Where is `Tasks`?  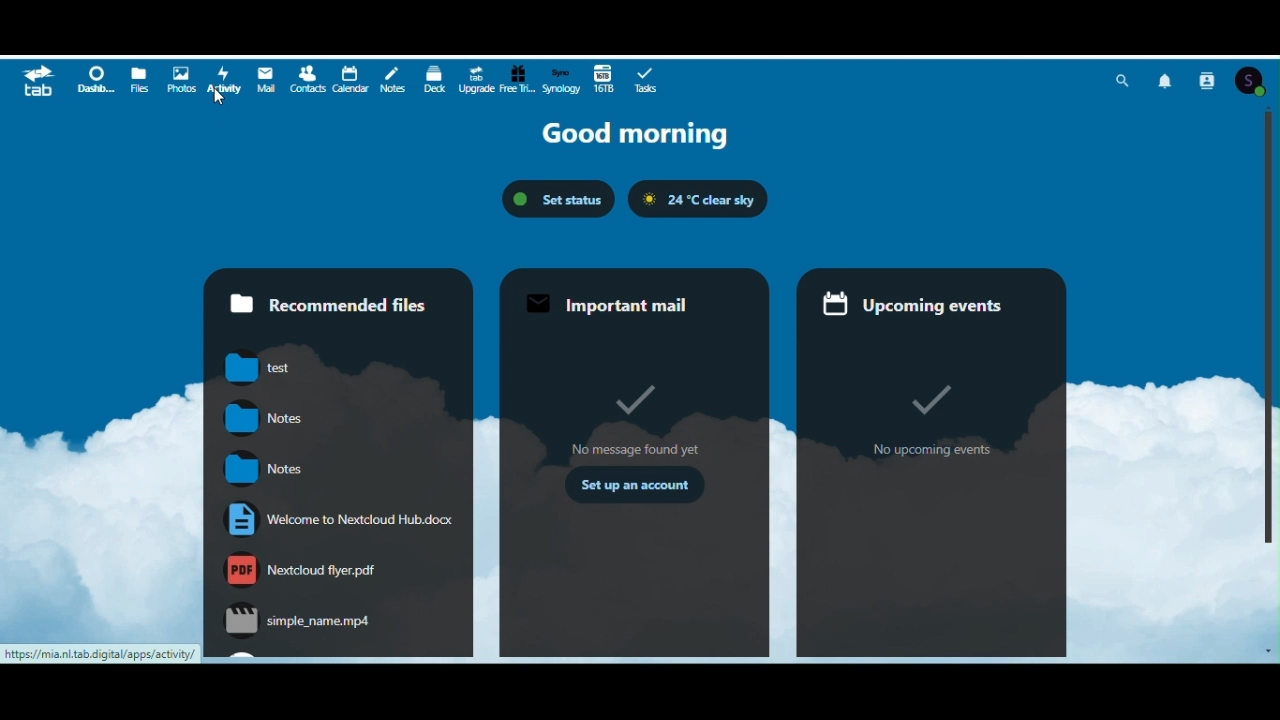
Tasks is located at coordinates (643, 82).